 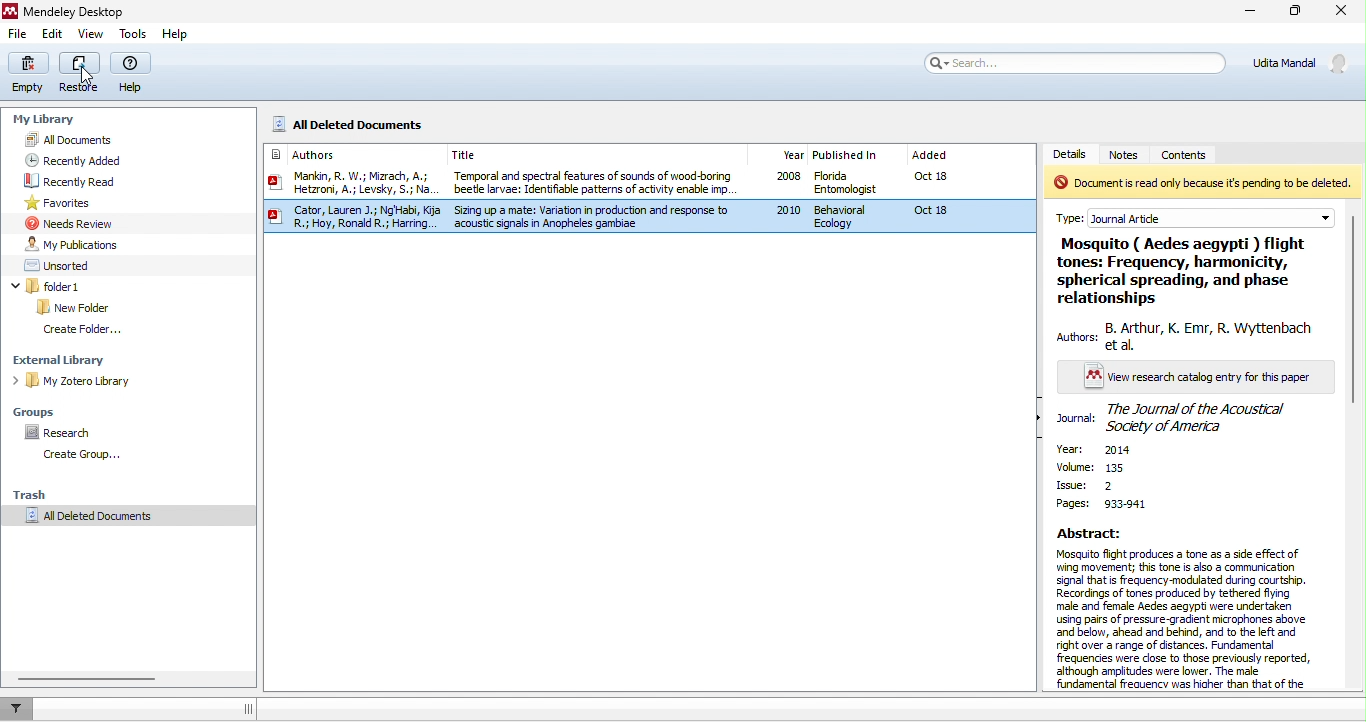 What do you see at coordinates (1202, 183) in the screenshot?
I see `document is read only` at bounding box center [1202, 183].